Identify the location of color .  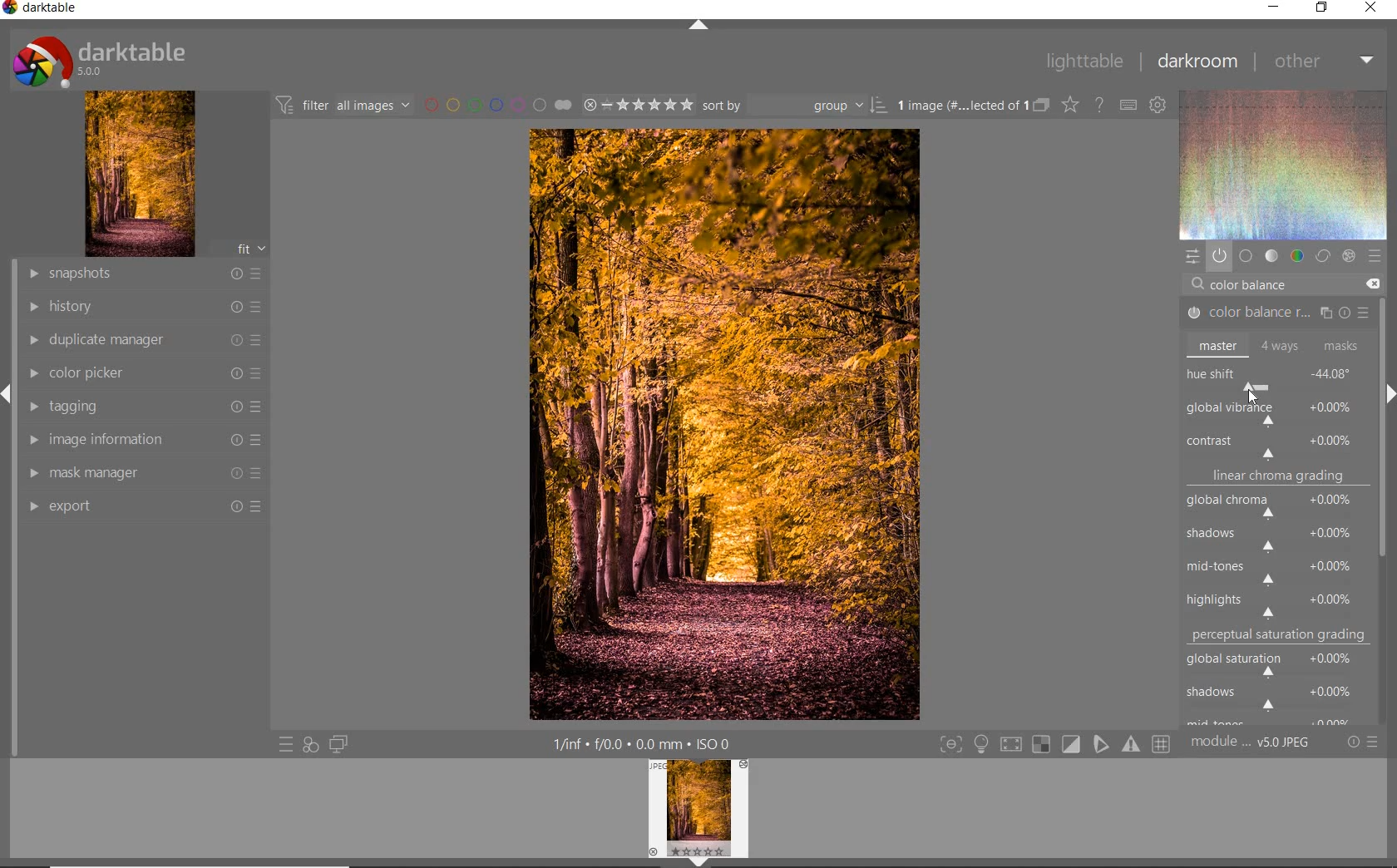
(1296, 256).